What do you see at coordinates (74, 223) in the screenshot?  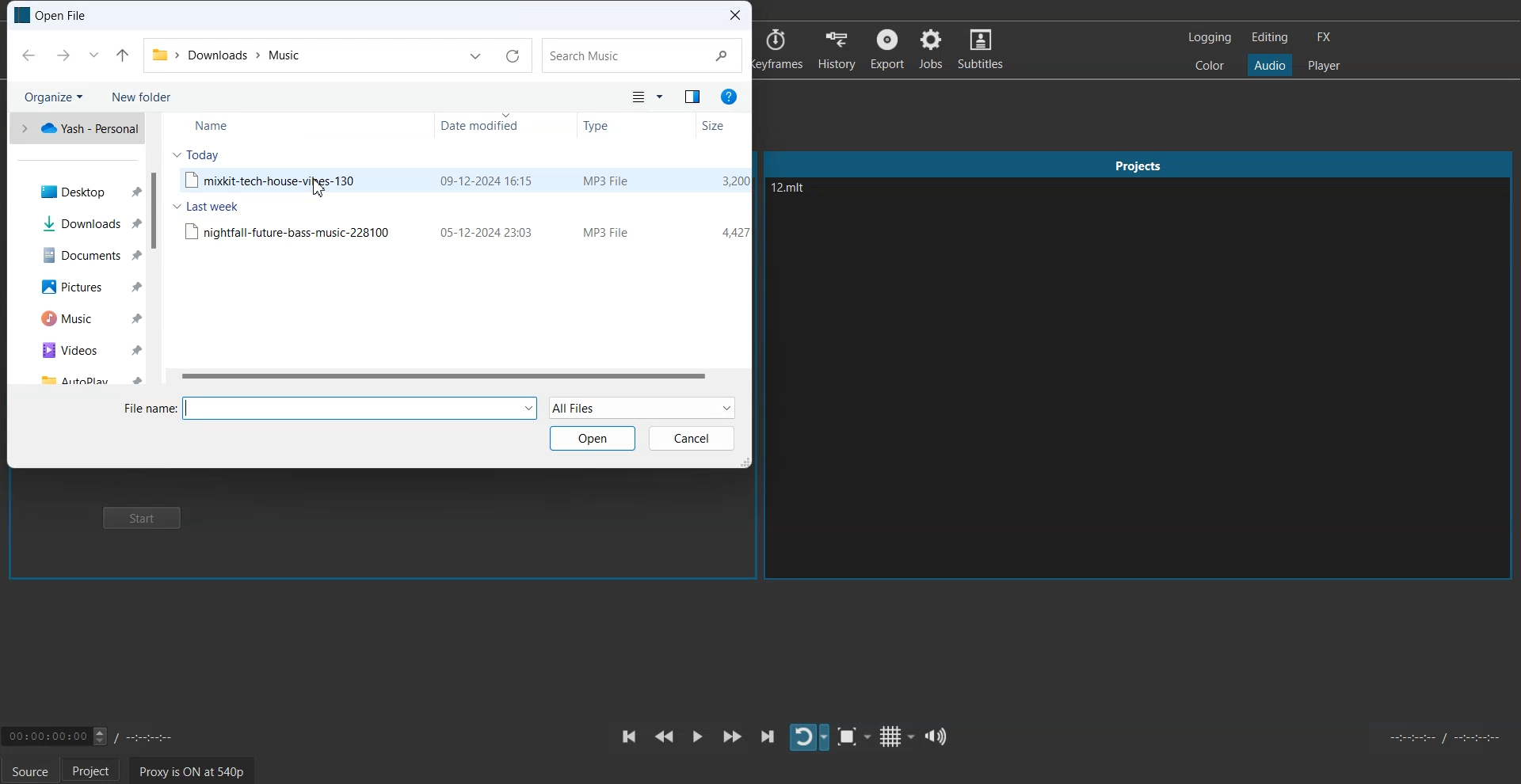 I see `Downloads` at bounding box center [74, 223].